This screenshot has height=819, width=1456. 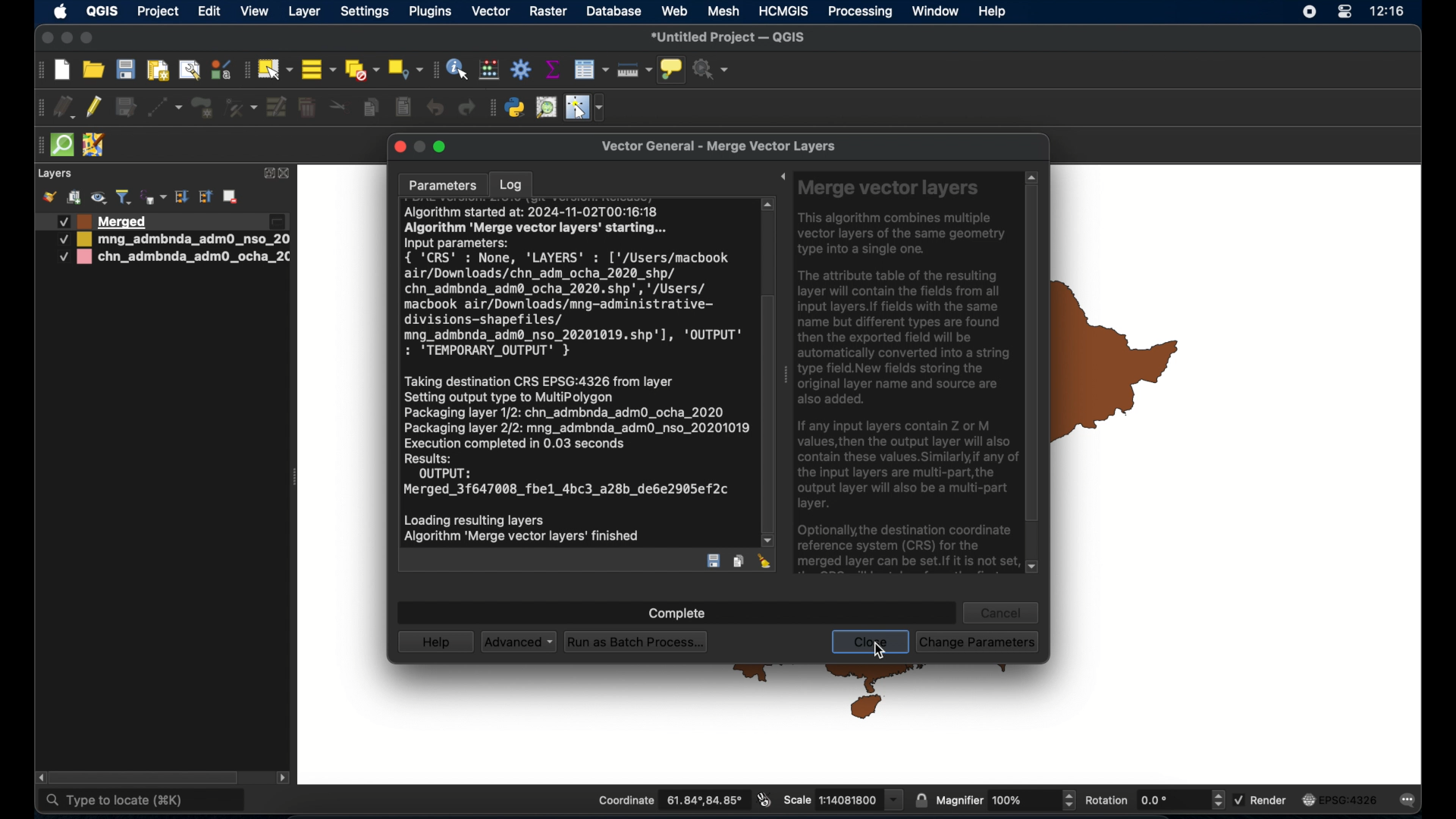 What do you see at coordinates (181, 197) in the screenshot?
I see `expand all` at bounding box center [181, 197].